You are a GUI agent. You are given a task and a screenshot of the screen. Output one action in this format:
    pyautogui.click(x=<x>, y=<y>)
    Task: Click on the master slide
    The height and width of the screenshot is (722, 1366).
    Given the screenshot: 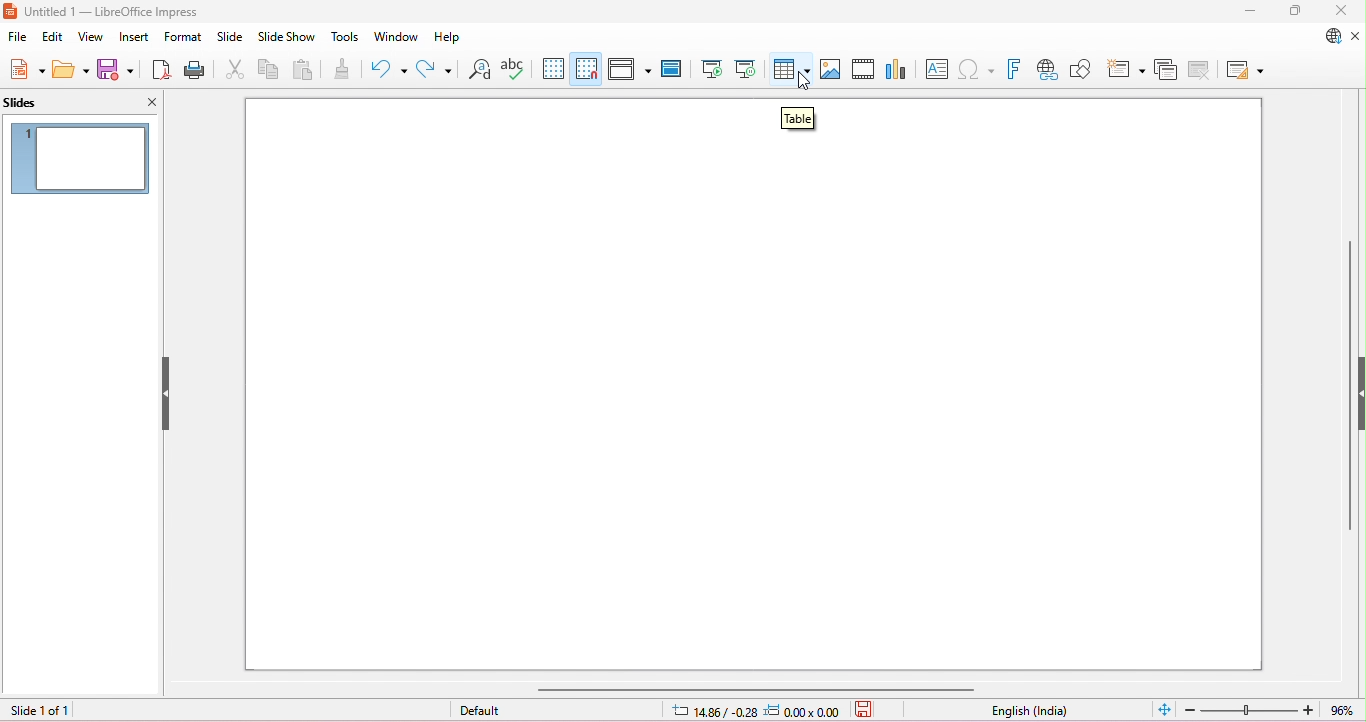 What is the action you would take?
    pyautogui.click(x=671, y=68)
    